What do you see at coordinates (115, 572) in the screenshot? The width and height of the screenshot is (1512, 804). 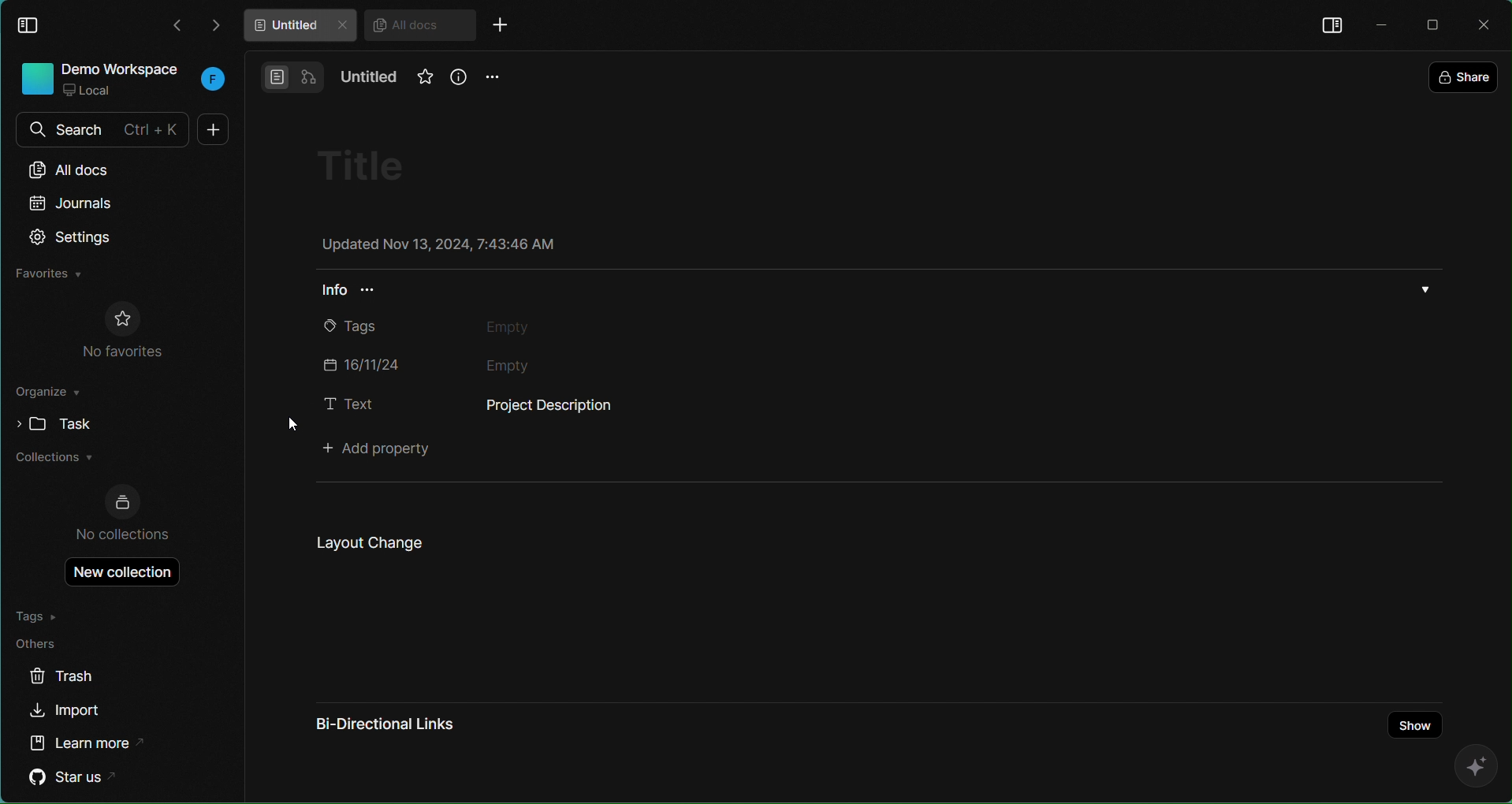 I see `new collection ` at bounding box center [115, 572].